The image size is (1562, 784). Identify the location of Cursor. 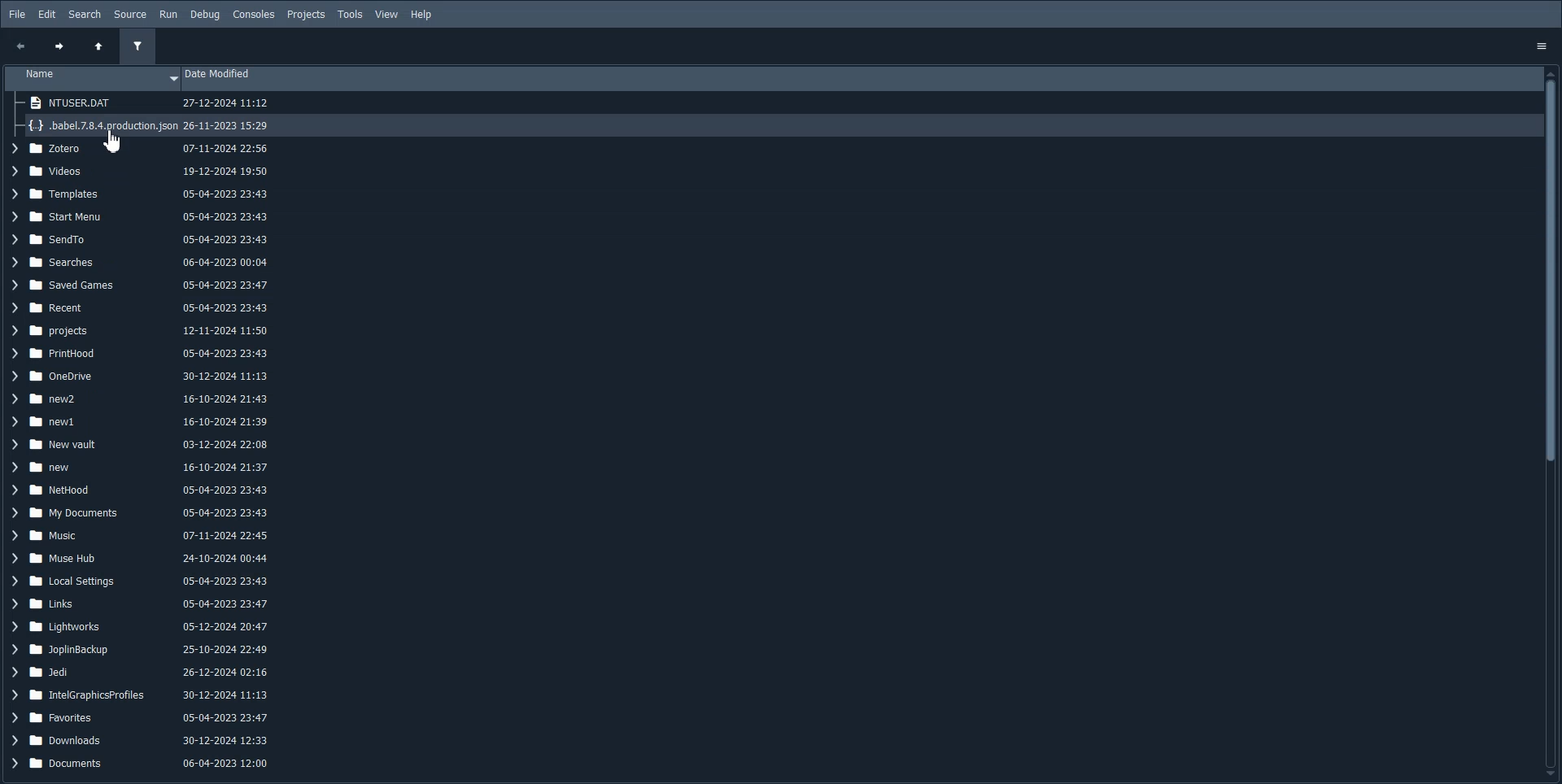
(111, 142).